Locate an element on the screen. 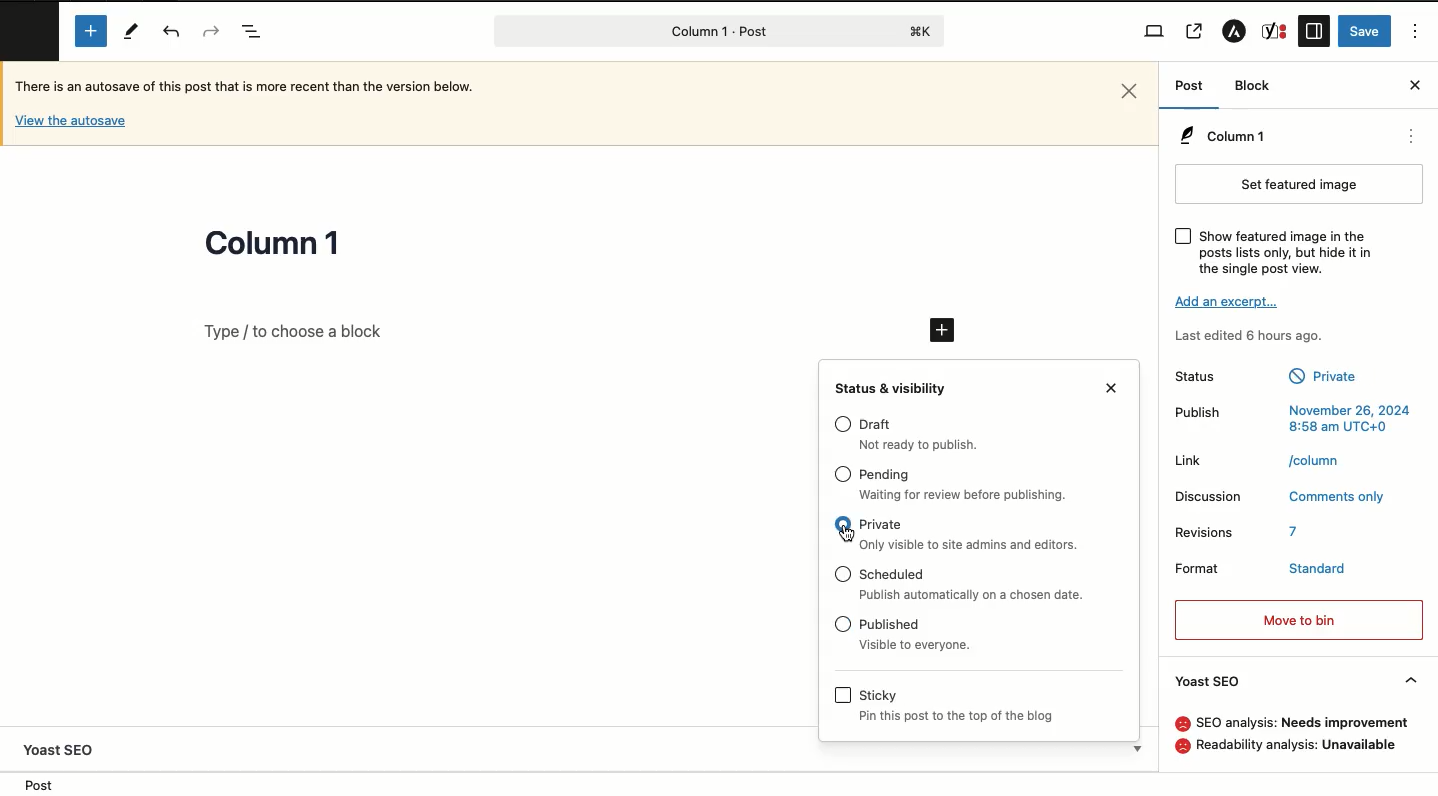 This screenshot has width=1438, height=796. cursor is located at coordinates (852, 536).